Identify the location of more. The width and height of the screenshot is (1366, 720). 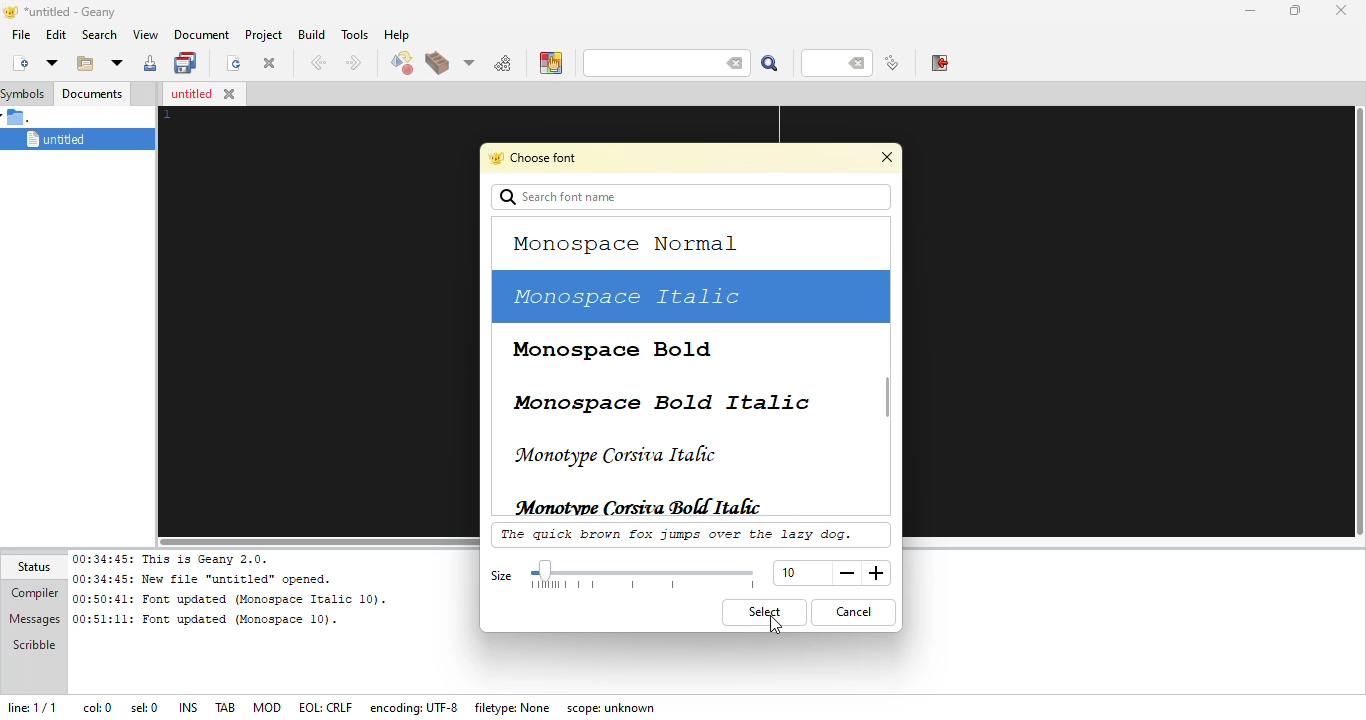
(879, 574).